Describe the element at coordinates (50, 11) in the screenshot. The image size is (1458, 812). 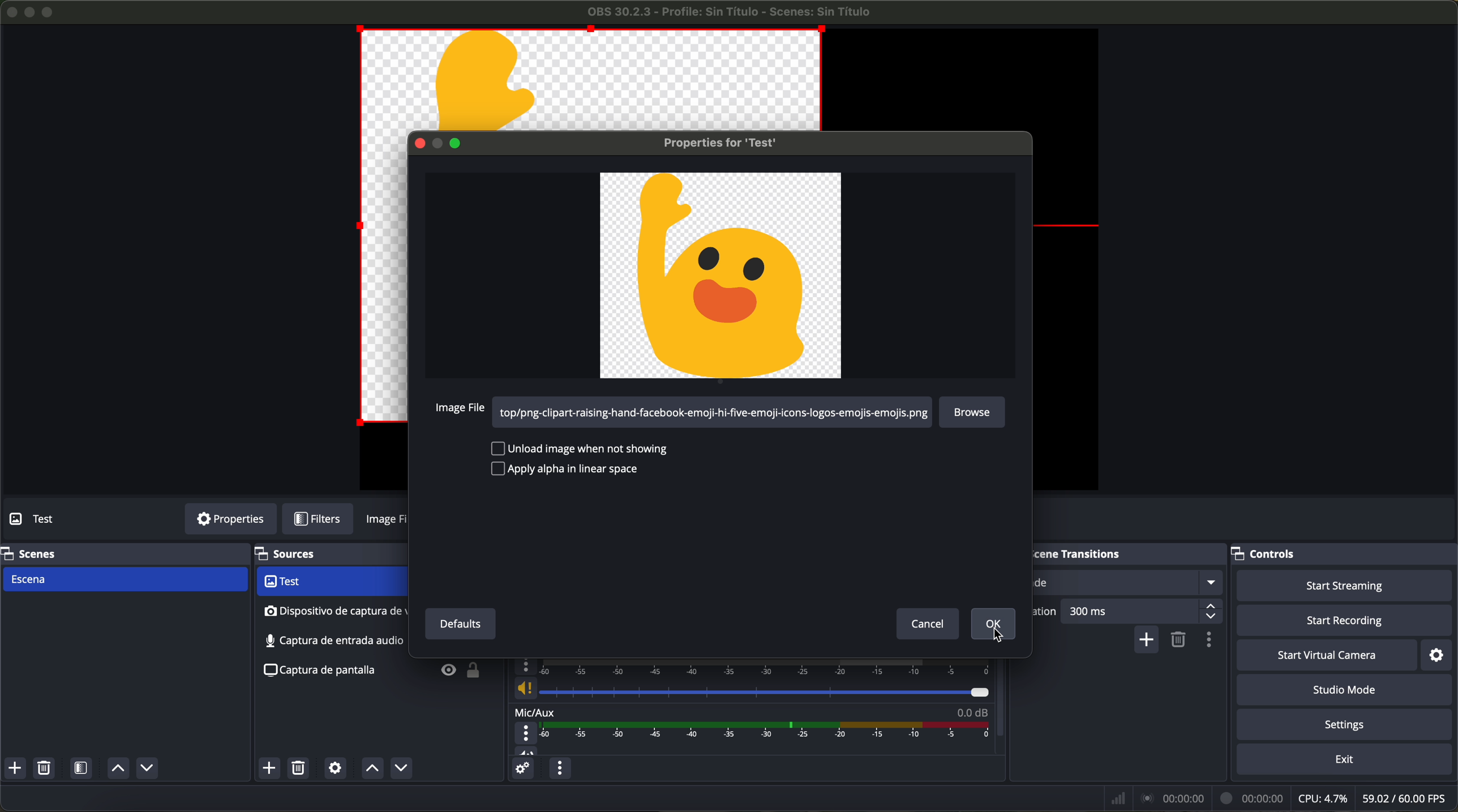
I see `maximize program` at that location.